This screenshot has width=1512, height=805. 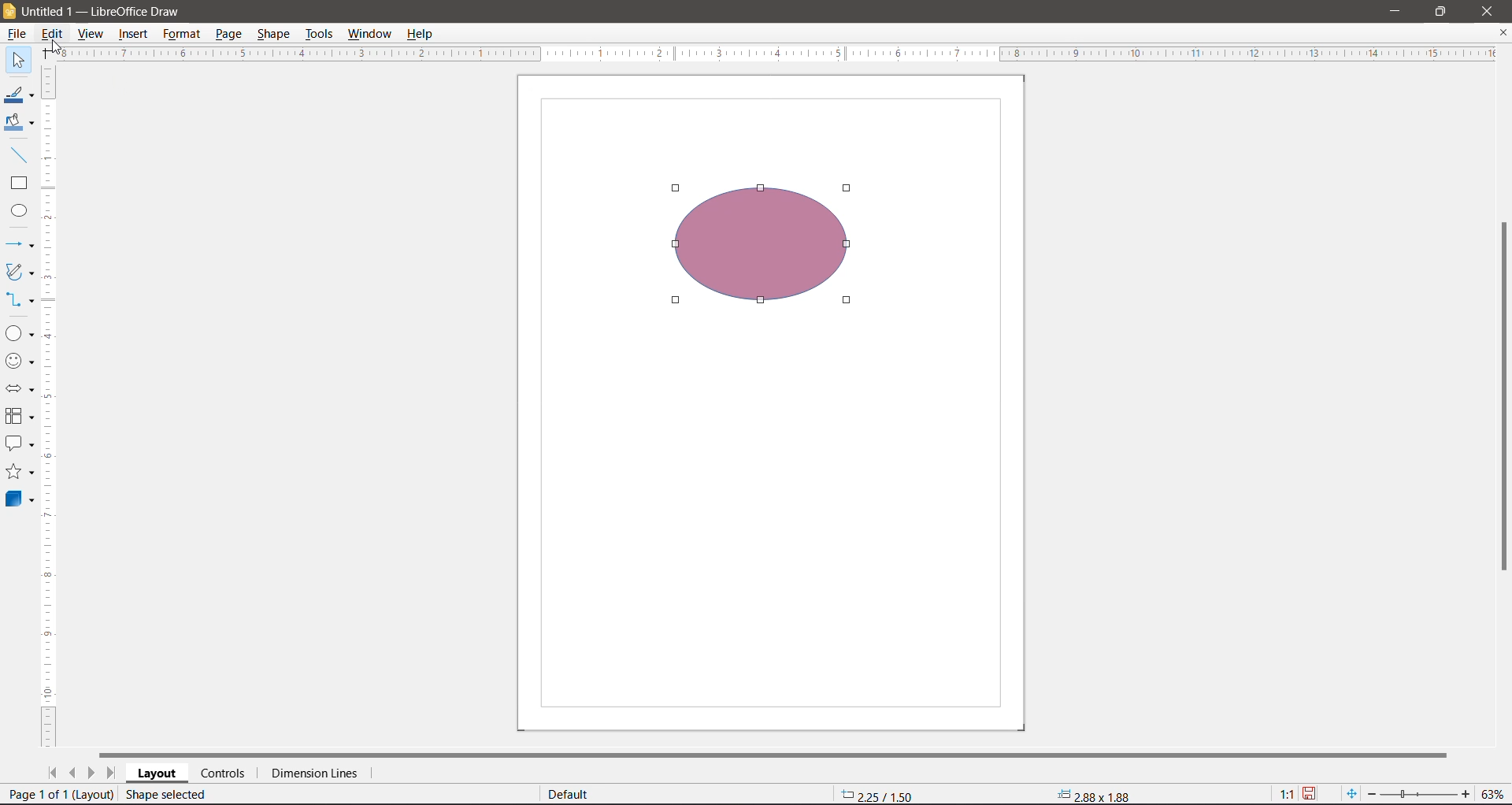 I want to click on Lines and Arrows, so click(x=20, y=244).